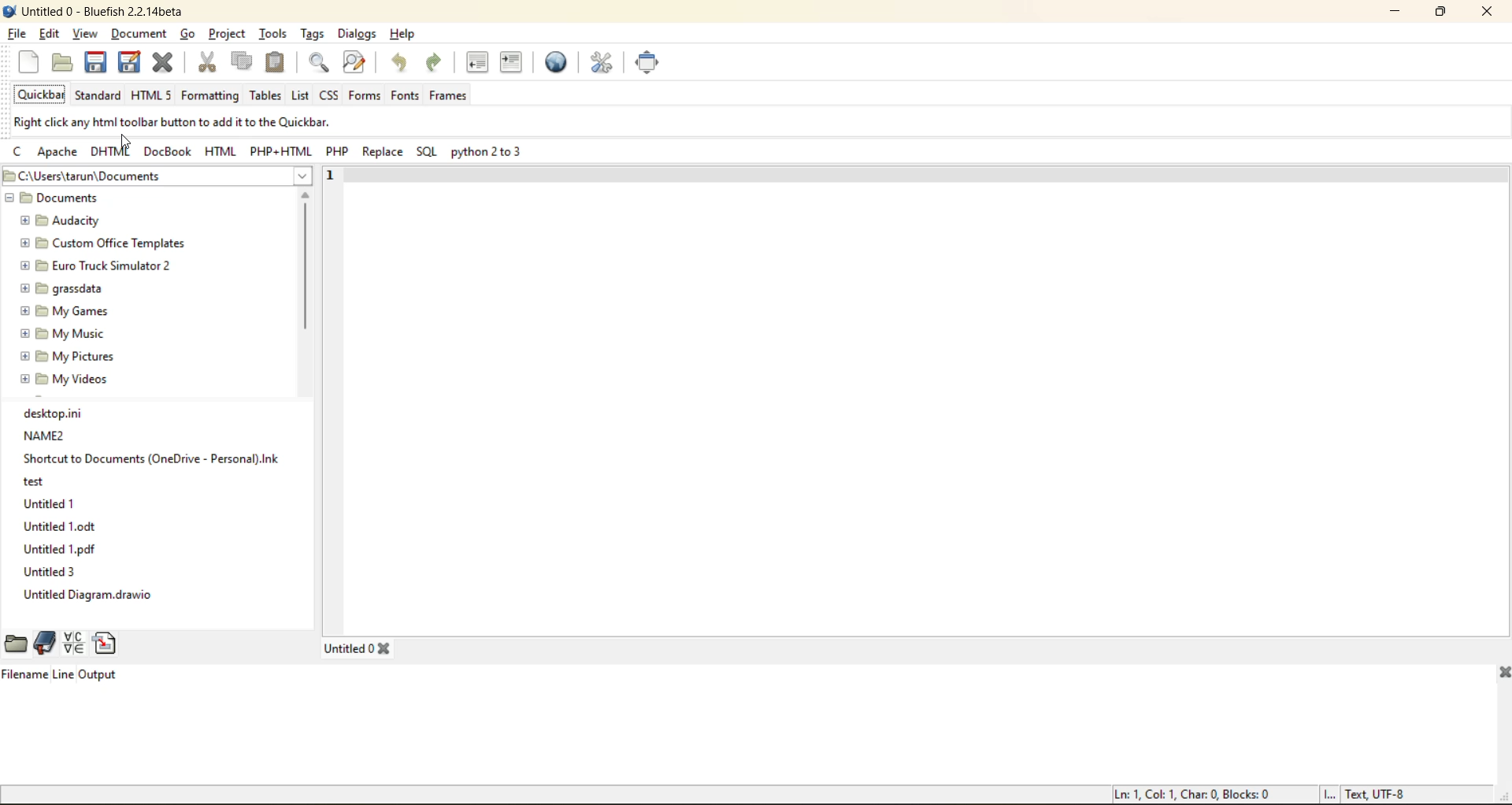 This screenshot has width=1512, height=805. What do you see at coordinates (210, 95) in the screenshot?
I see `formatting` at bounding box center [210, 95].